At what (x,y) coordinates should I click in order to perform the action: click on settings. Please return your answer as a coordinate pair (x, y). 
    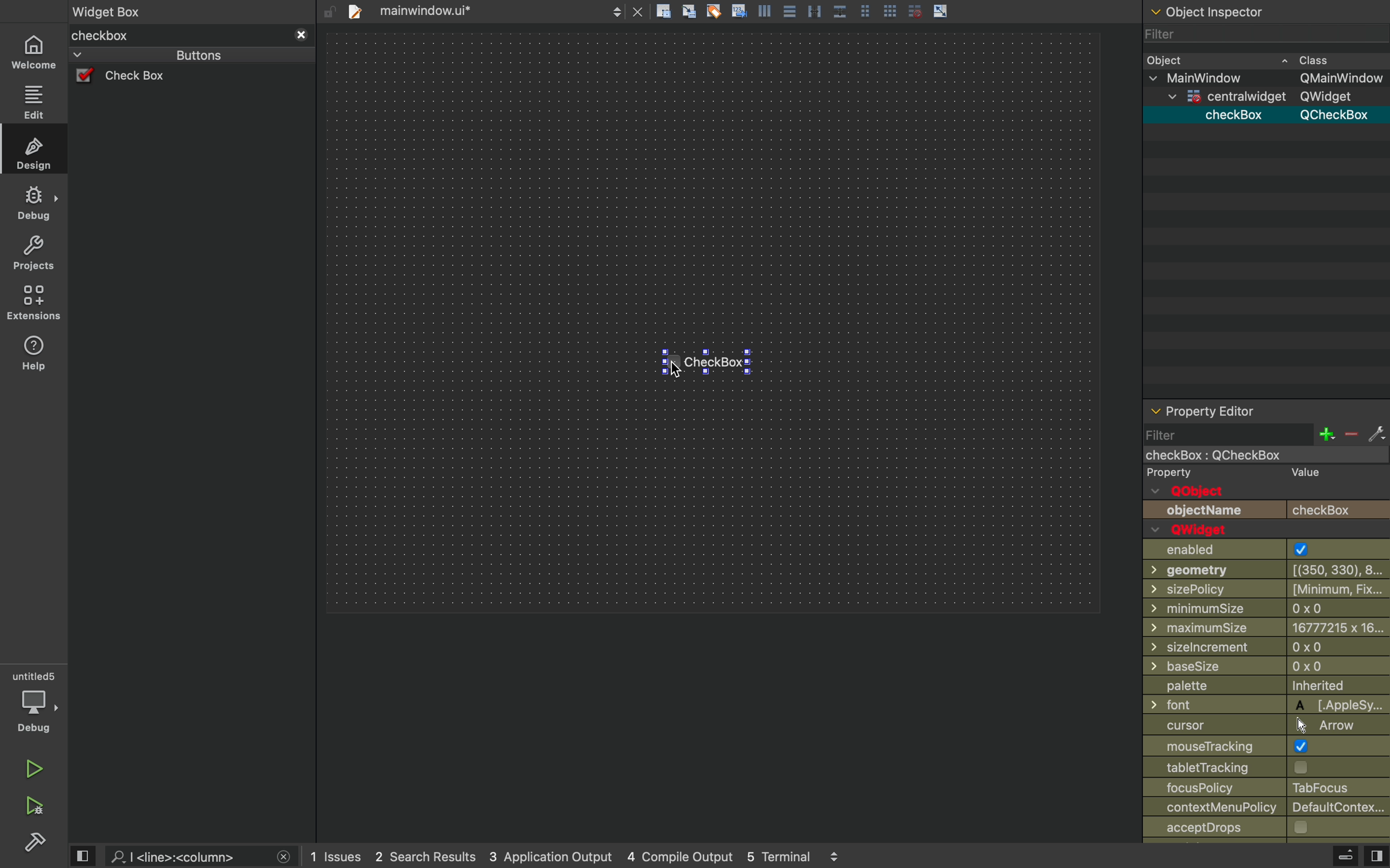
    Looking at the image, I should click on (1377, 435).